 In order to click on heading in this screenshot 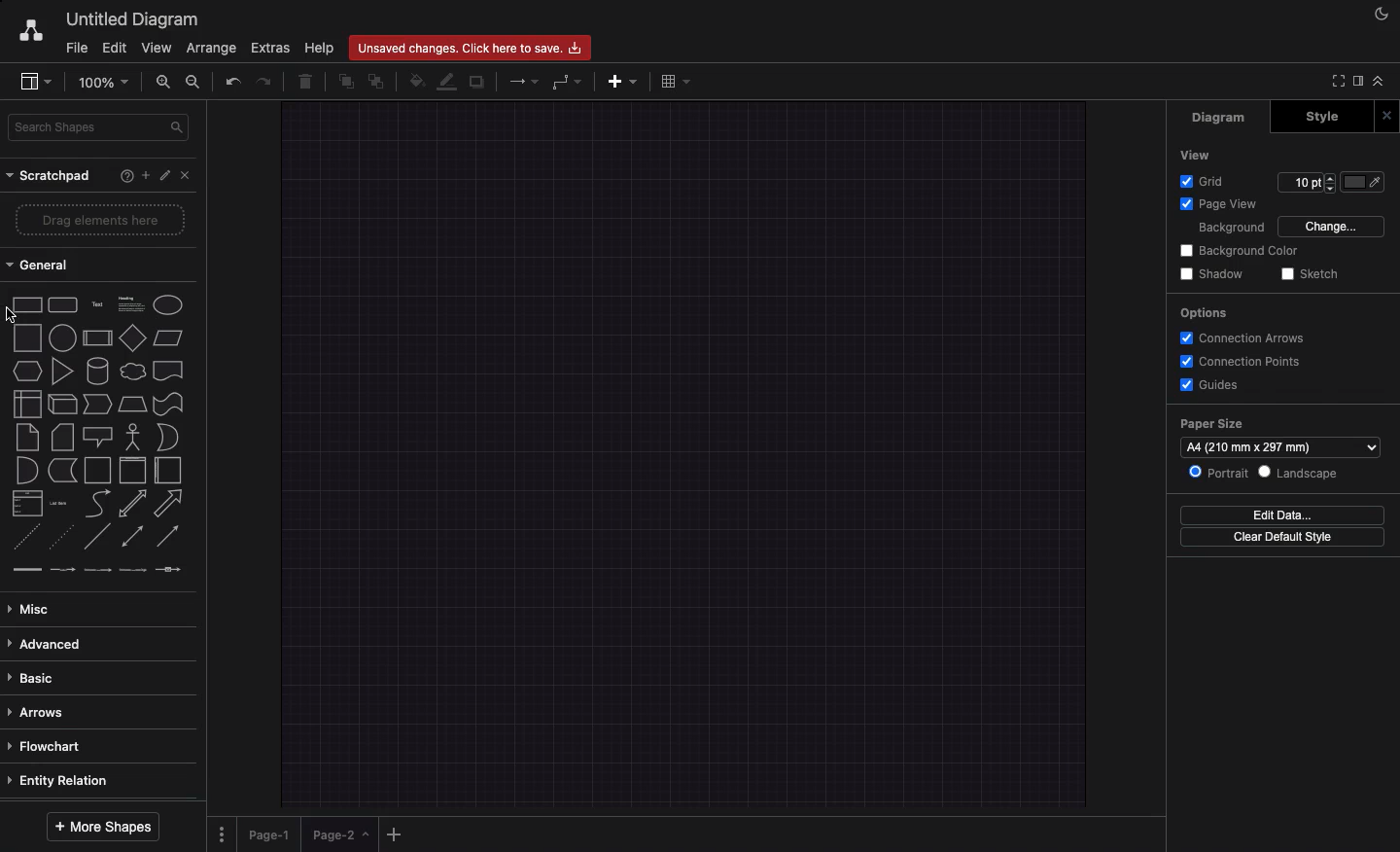, I will do `click(130, 302)`.